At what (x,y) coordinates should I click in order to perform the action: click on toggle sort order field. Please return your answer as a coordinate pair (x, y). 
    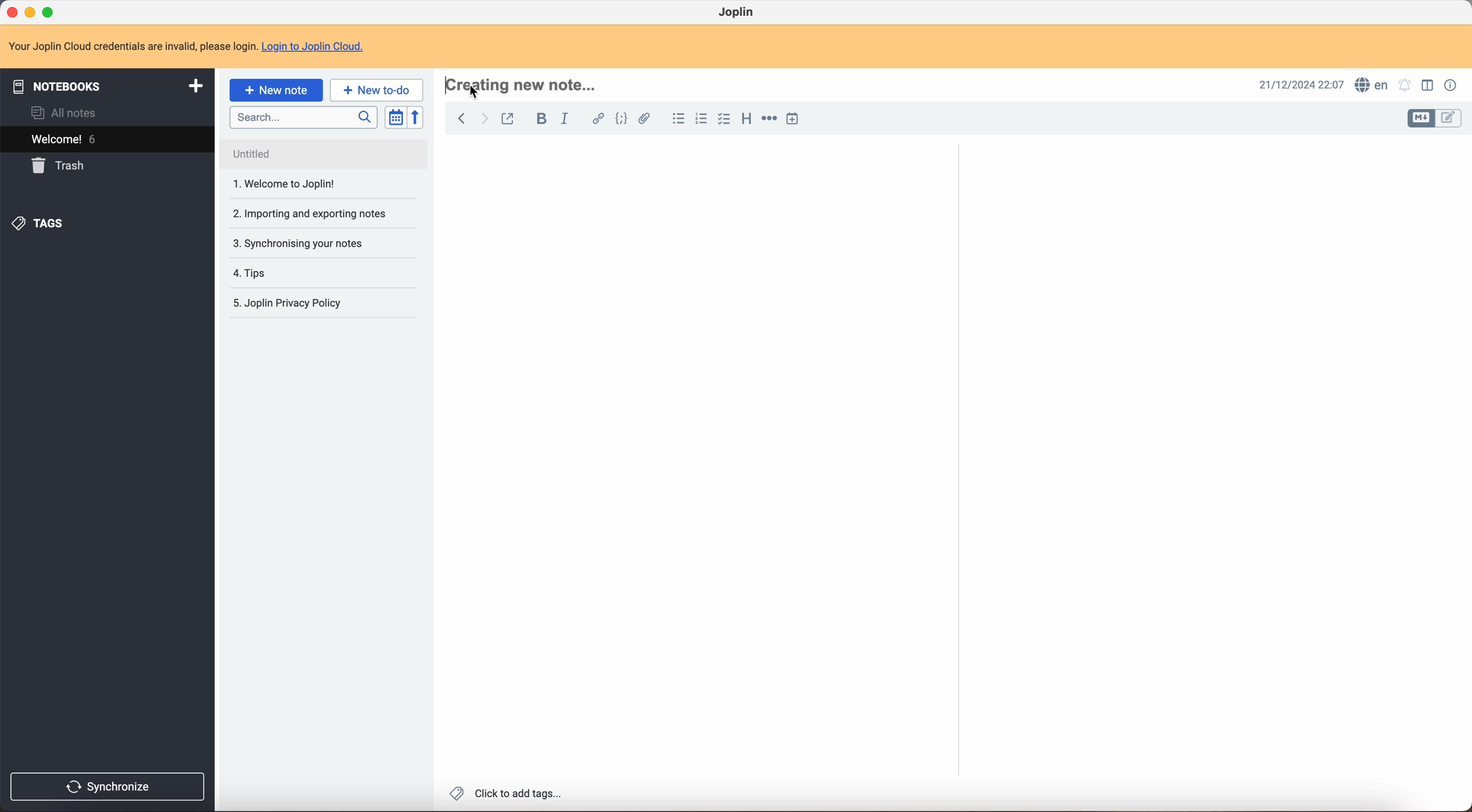
    Looking at the image, I should click on (395, 117).